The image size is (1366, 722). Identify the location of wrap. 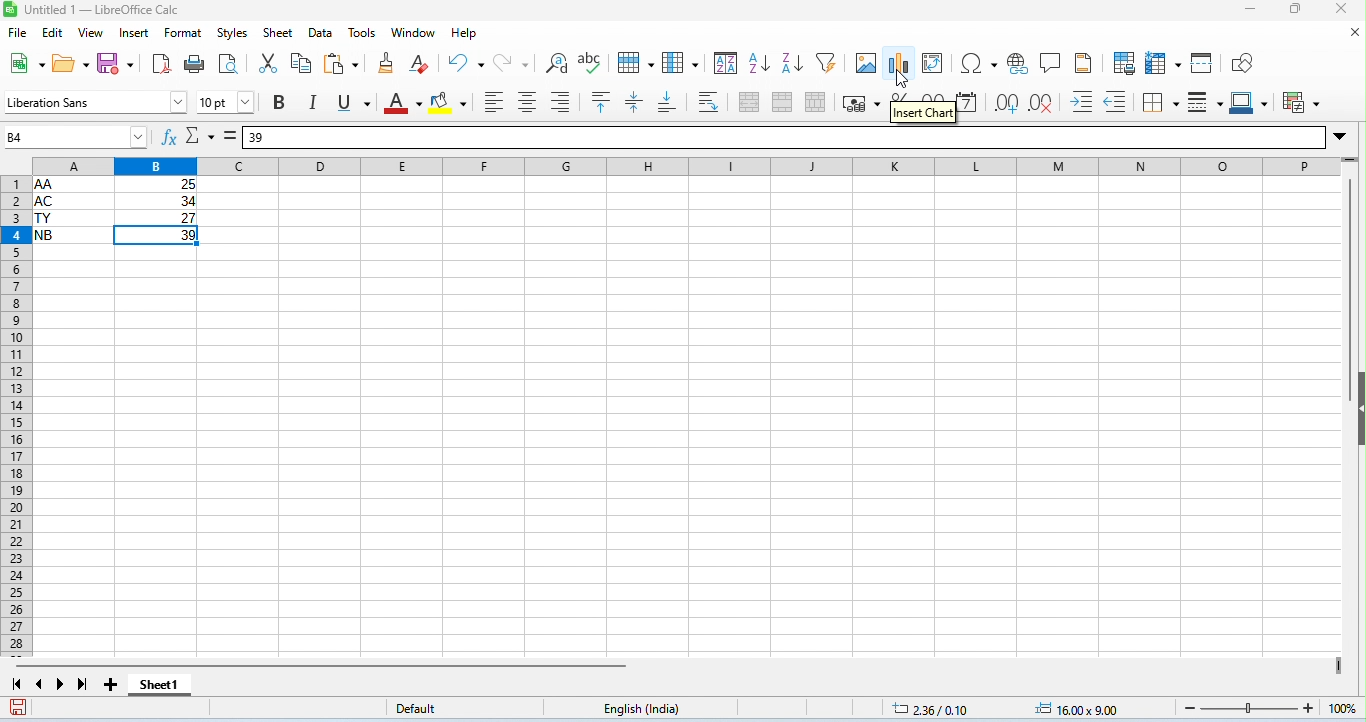
(710, 104).